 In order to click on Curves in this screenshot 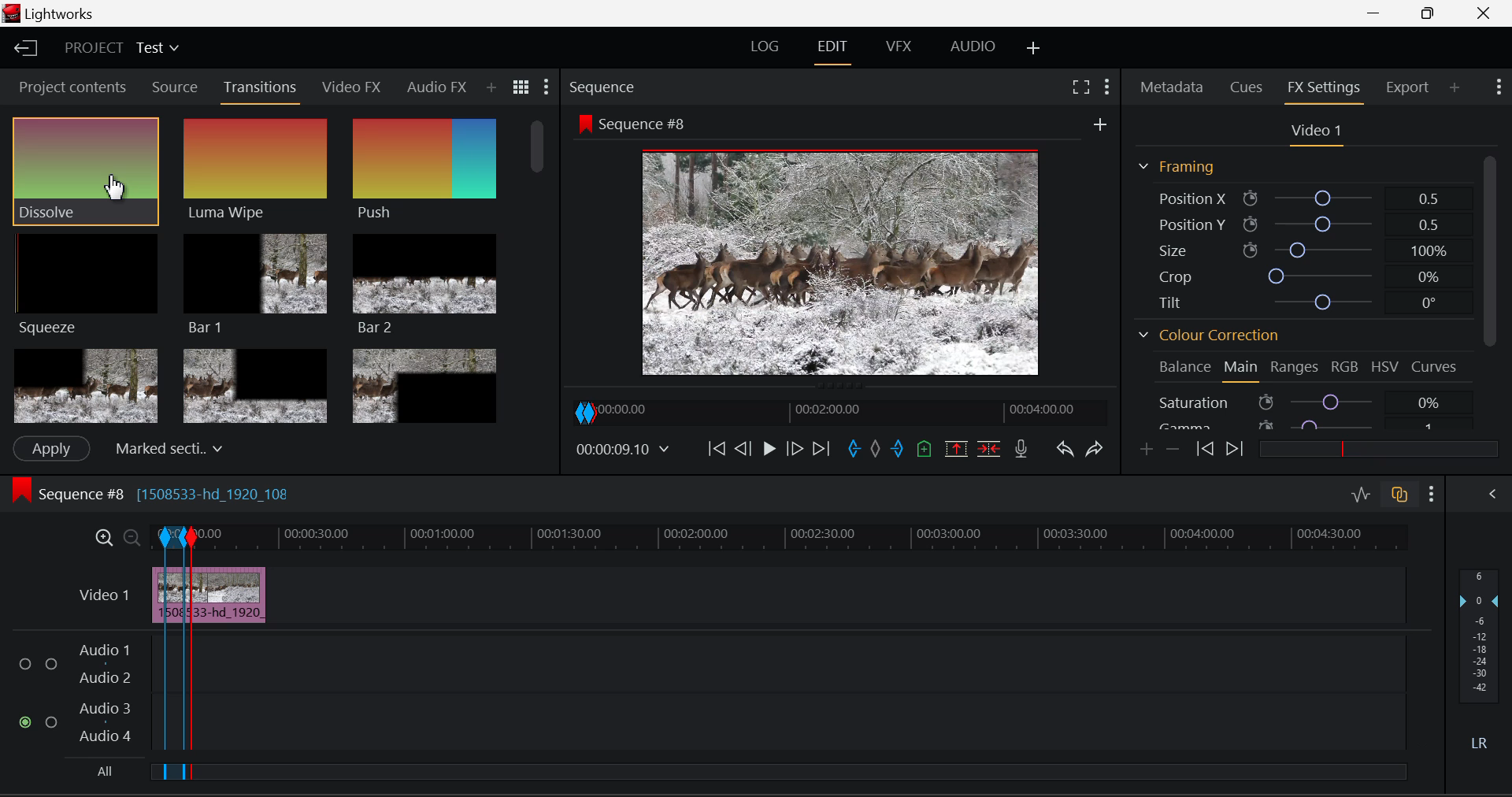, I will do `click(1436, 367)`.